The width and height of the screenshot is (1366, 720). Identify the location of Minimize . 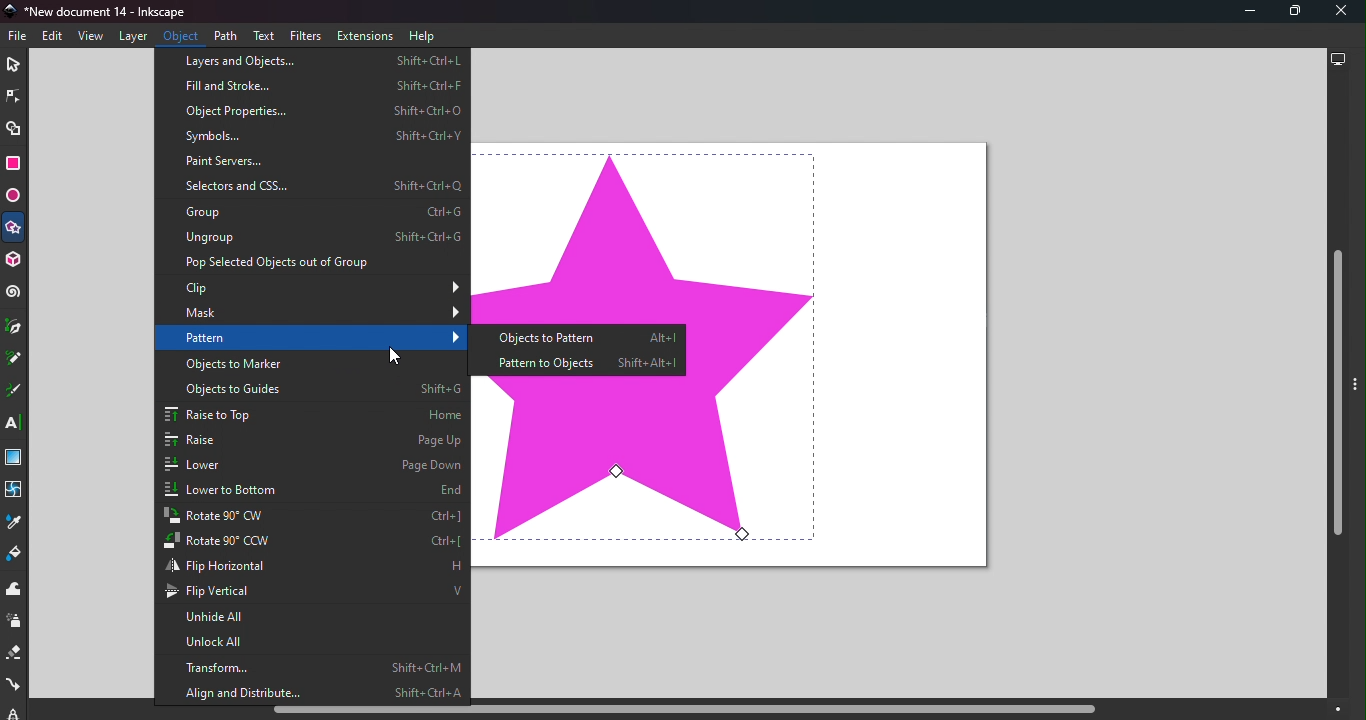
(1241, 12).